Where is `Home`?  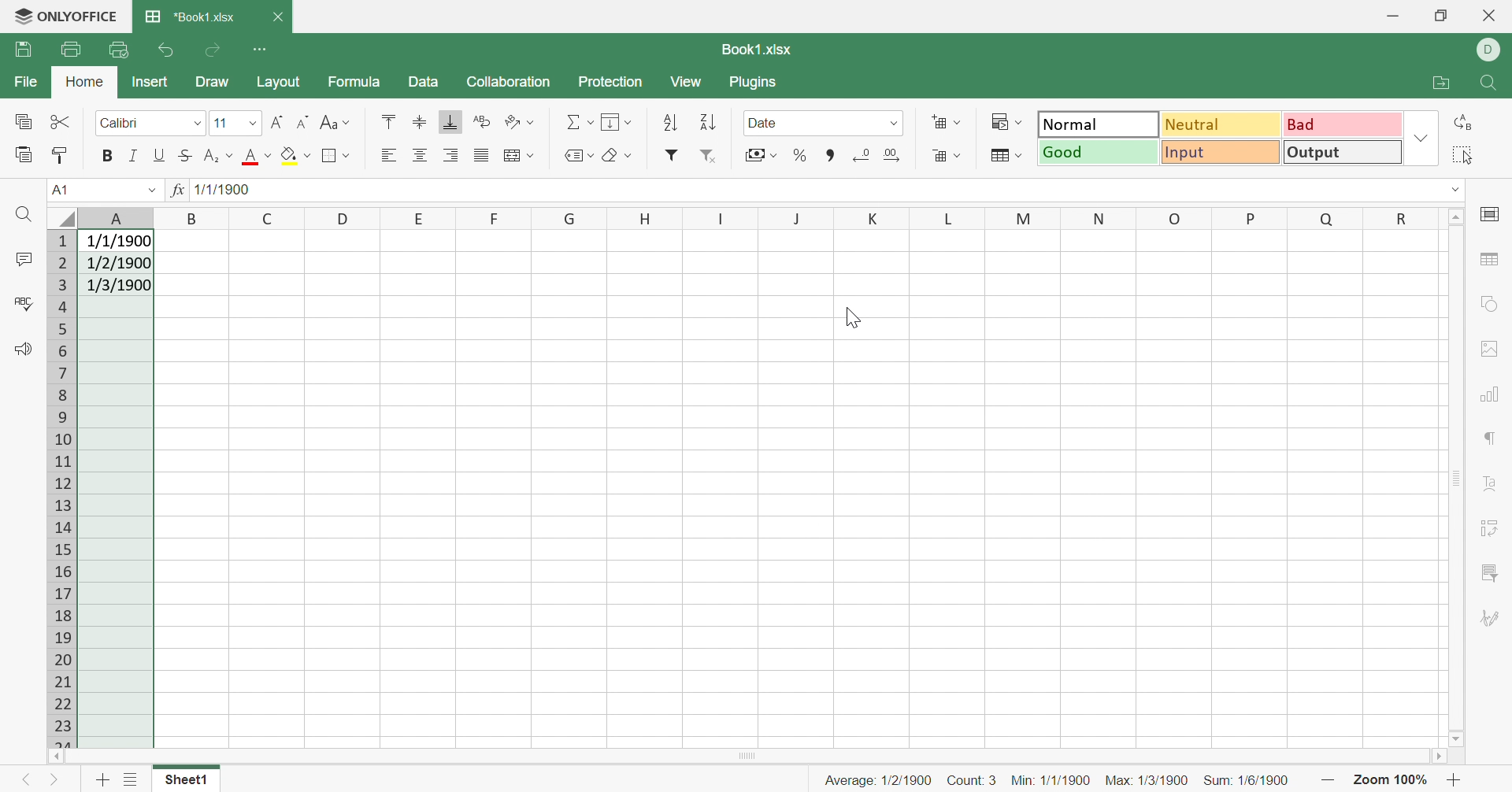
Home is located at coordinates (85, 81).